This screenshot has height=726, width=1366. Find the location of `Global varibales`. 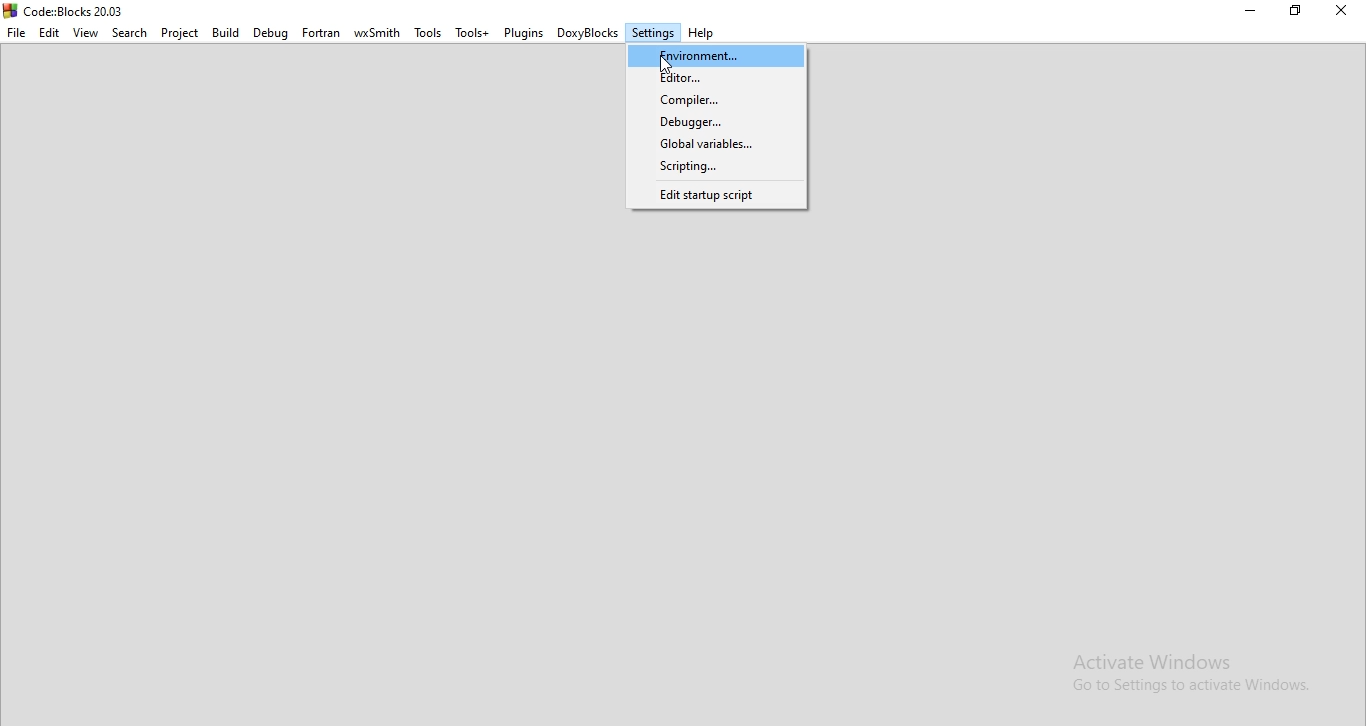

Global varibales is located at coordinates (713, 144).